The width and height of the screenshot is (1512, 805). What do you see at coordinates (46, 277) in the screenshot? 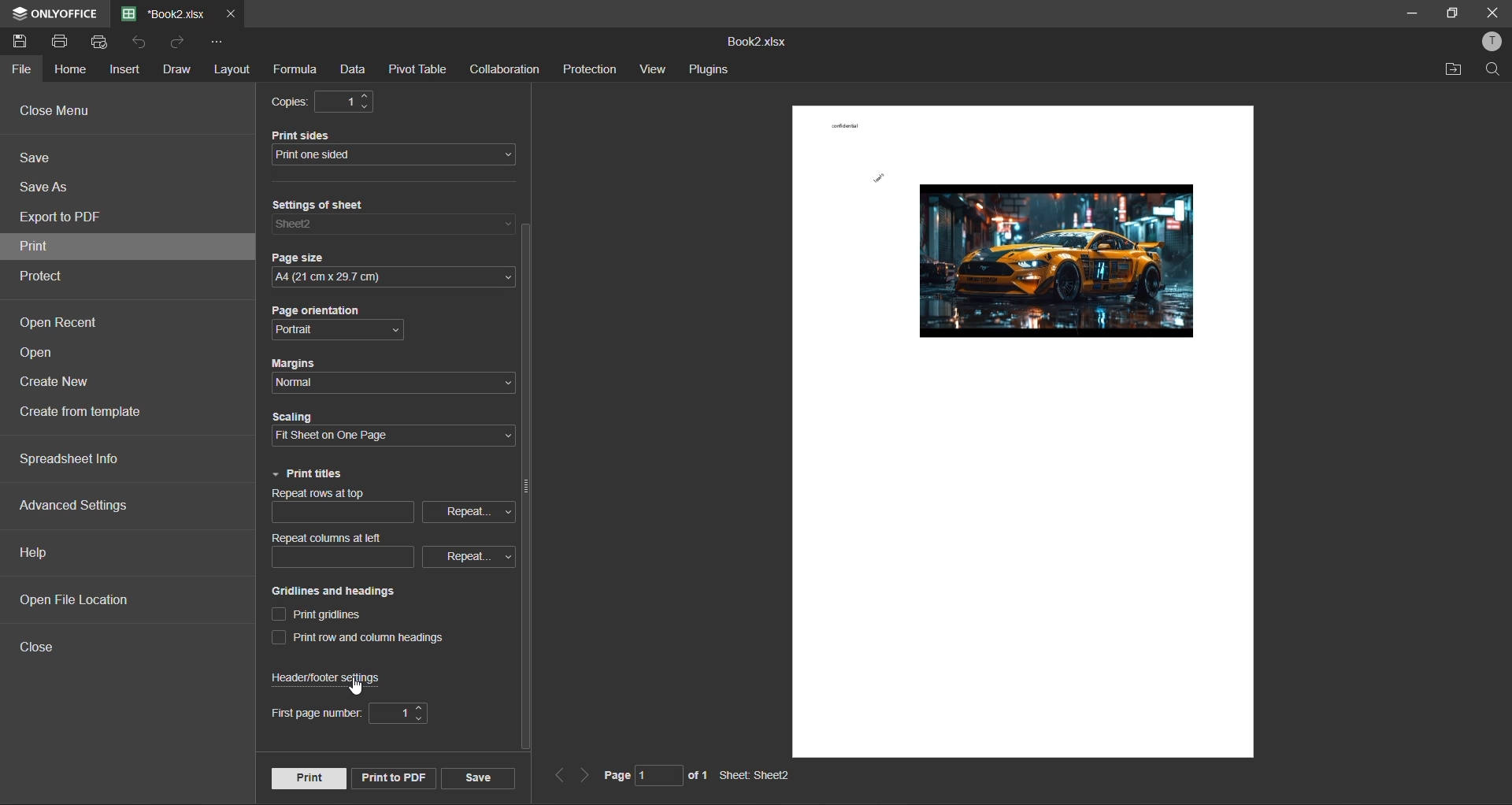
I see `protect` at bounding box center [46, 277].